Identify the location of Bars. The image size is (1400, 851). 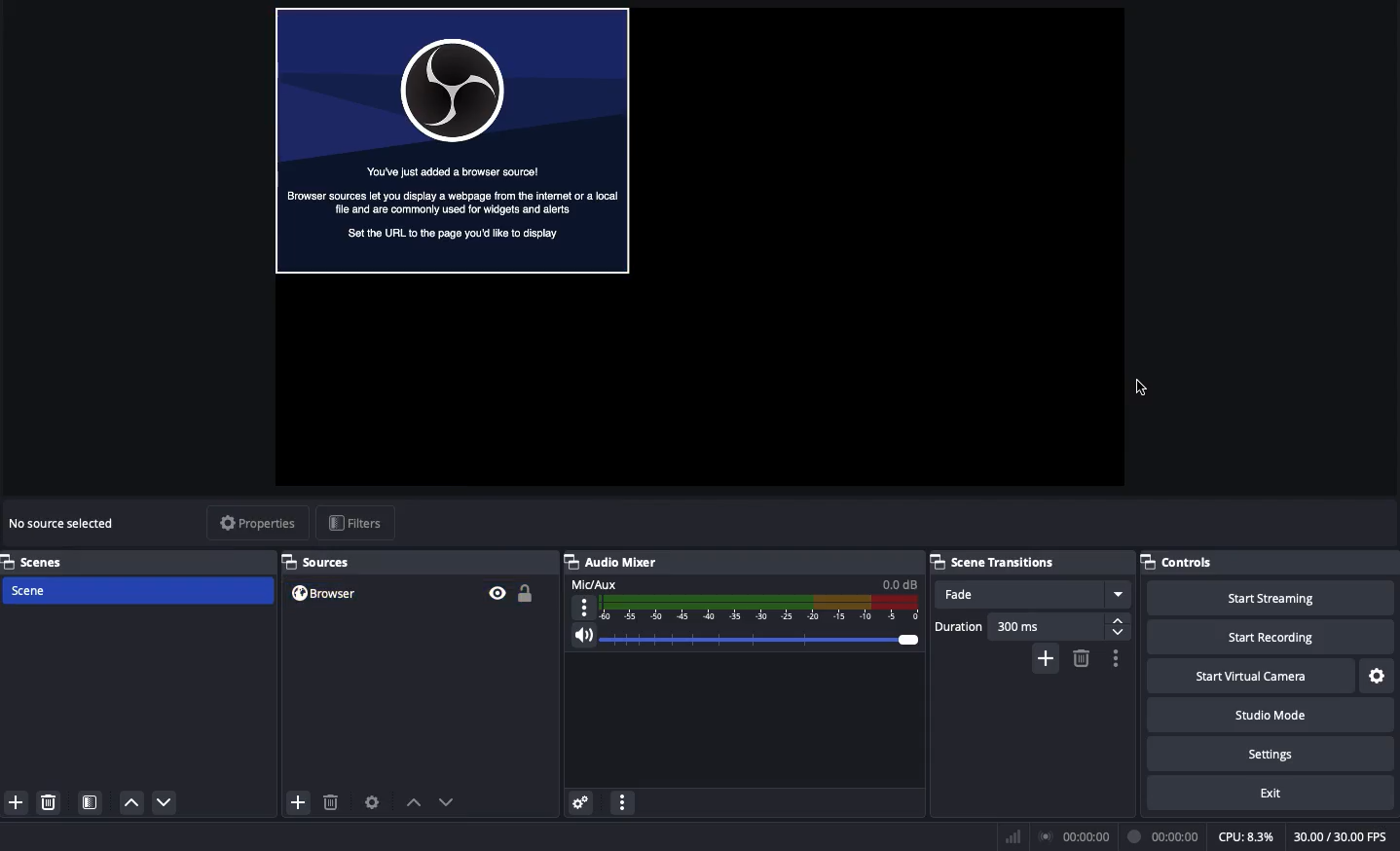
(1010, 837).